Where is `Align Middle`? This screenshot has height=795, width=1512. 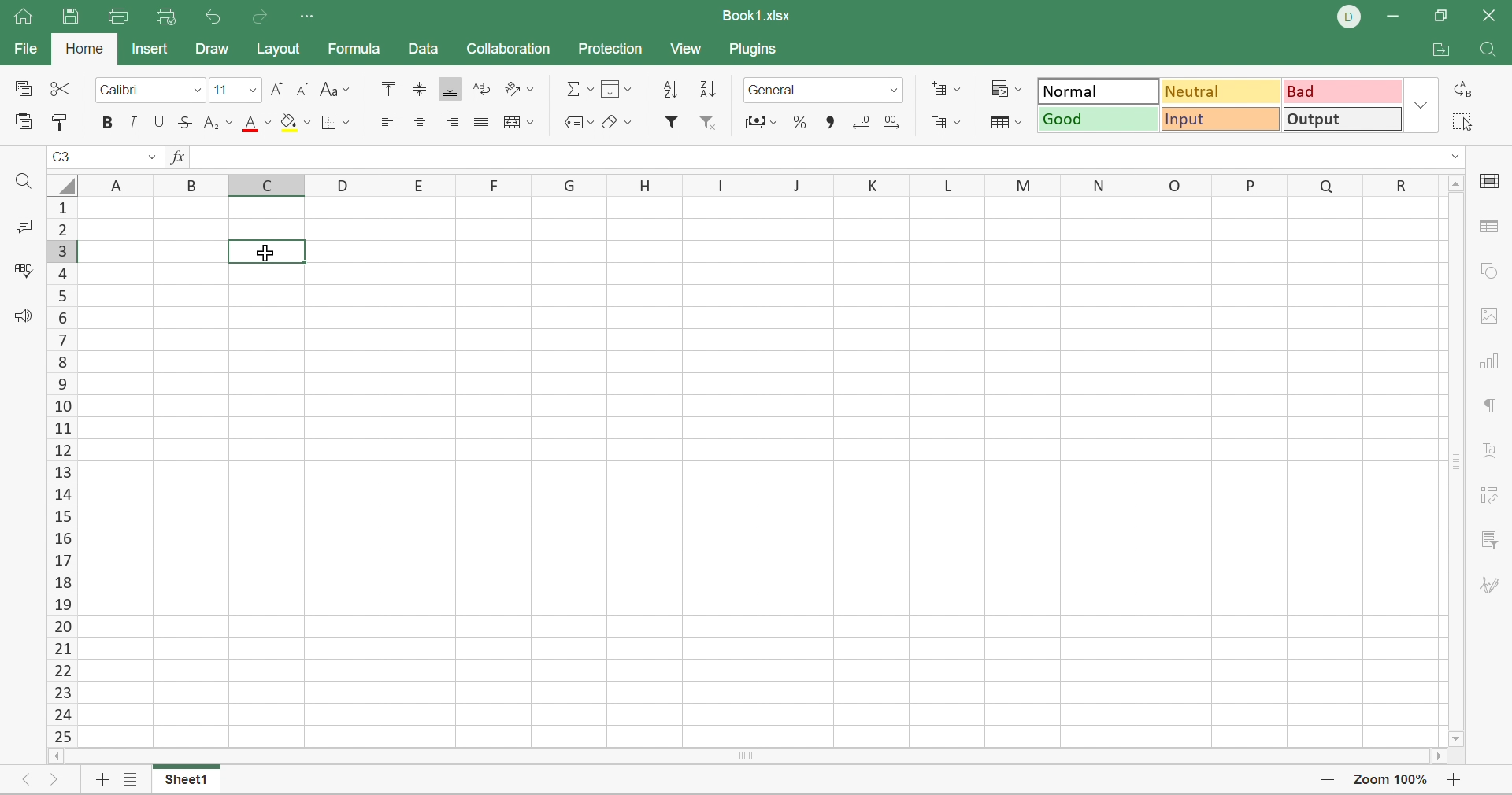
Align Middle is located at coordinates (421, 91).